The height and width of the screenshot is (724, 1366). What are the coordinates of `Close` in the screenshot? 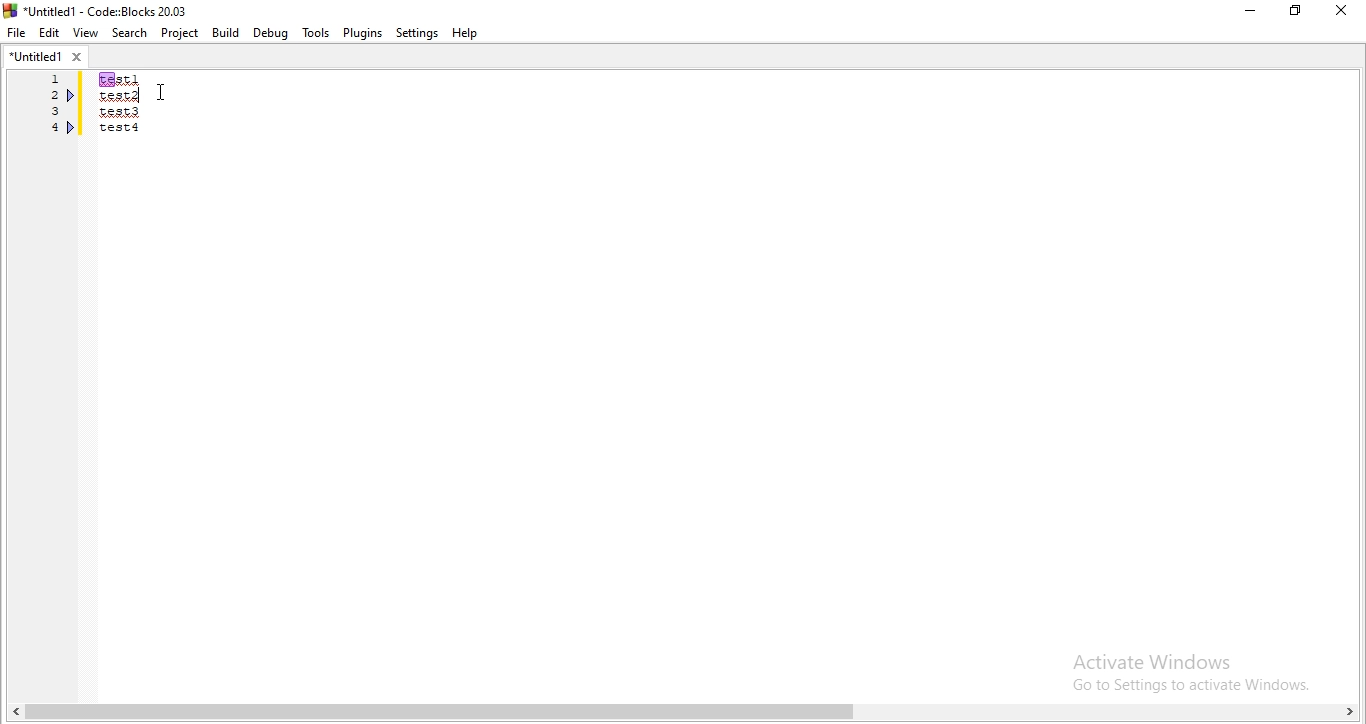 It's located at (1342, 10).